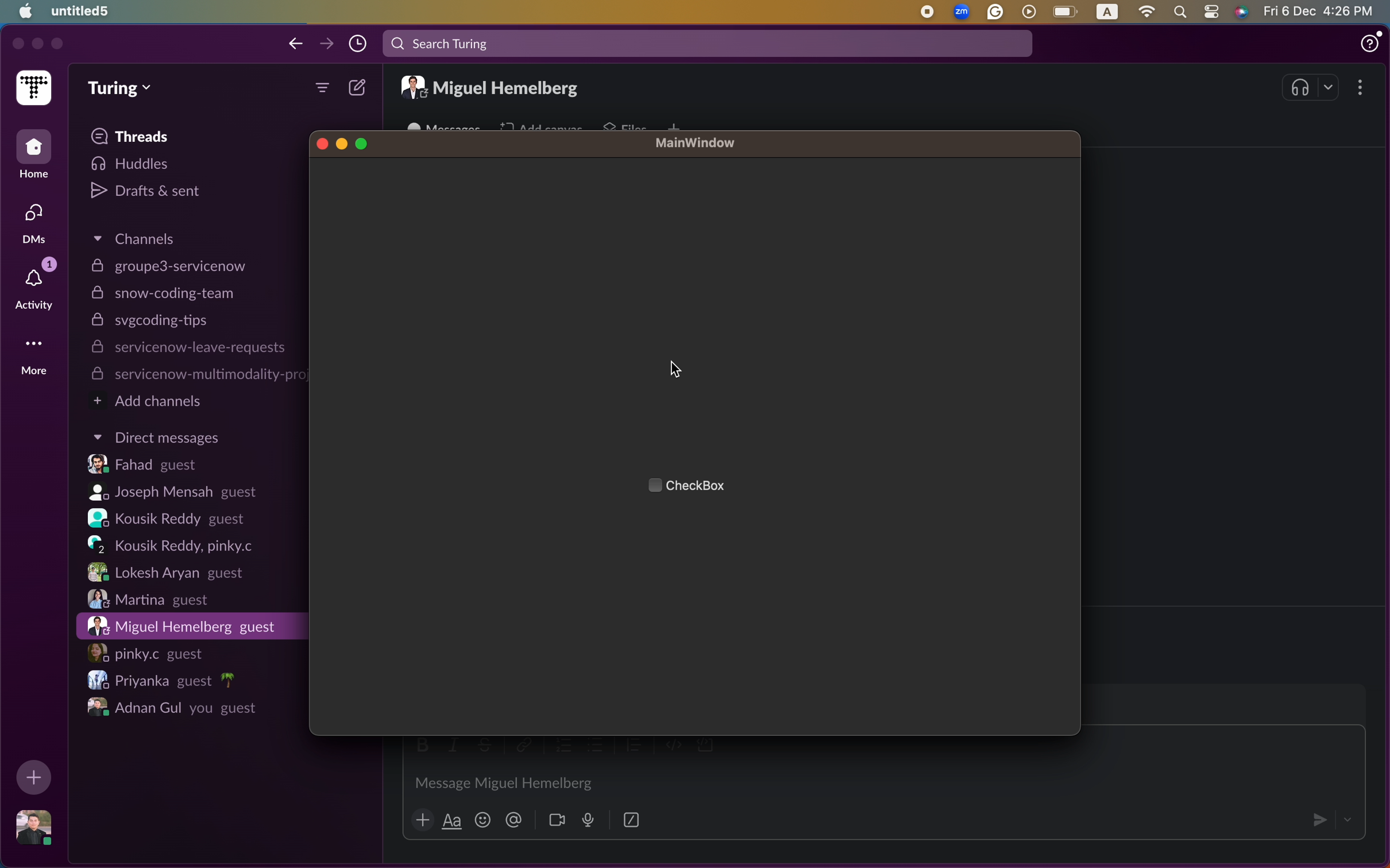 The width and height of the screenshot is (1390, 868). What do you see at coordinates (632, 818) in the screenshot?
I see `Box` at bounding box center [632, 818].